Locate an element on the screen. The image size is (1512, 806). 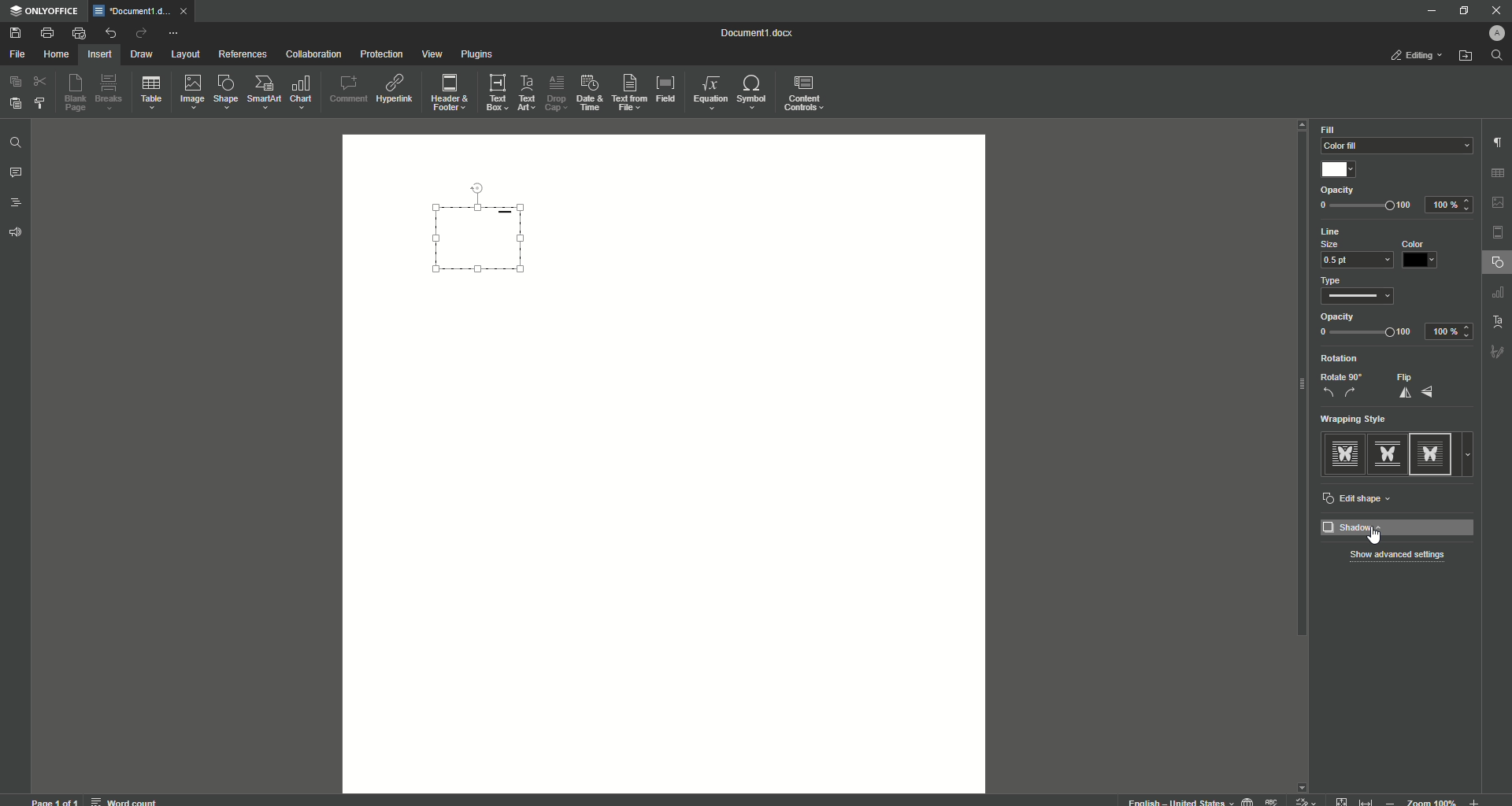
ONLYOFFICE is located at coordinates (45, 12).